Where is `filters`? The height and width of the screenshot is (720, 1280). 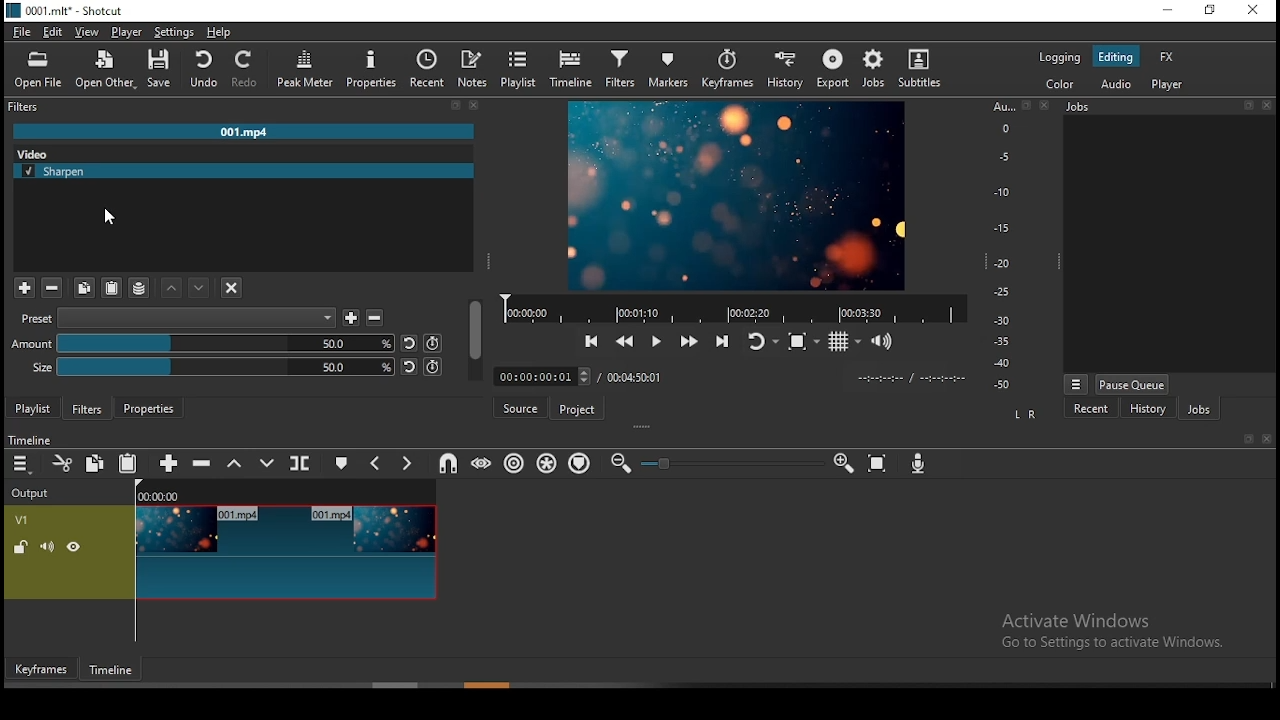 filters is located at coordinates (247, 105).